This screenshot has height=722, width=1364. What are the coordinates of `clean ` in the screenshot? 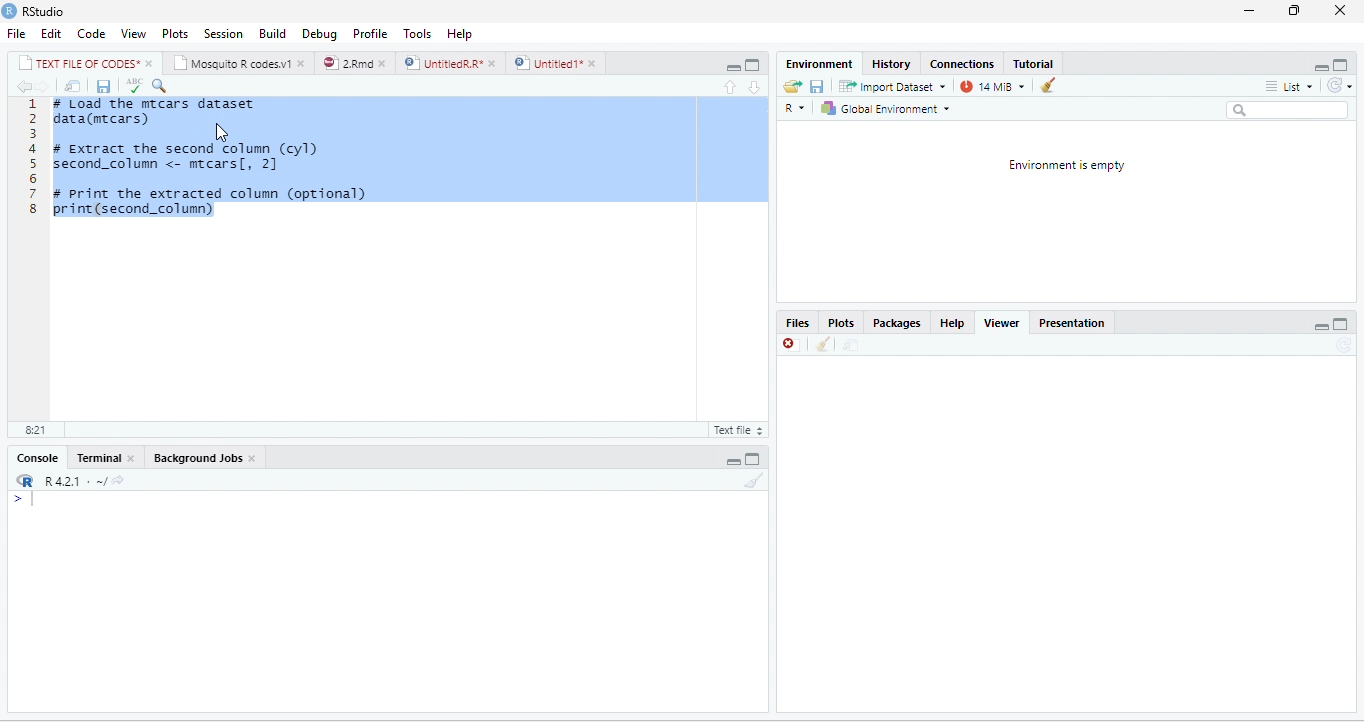 It's located at (823, 346).